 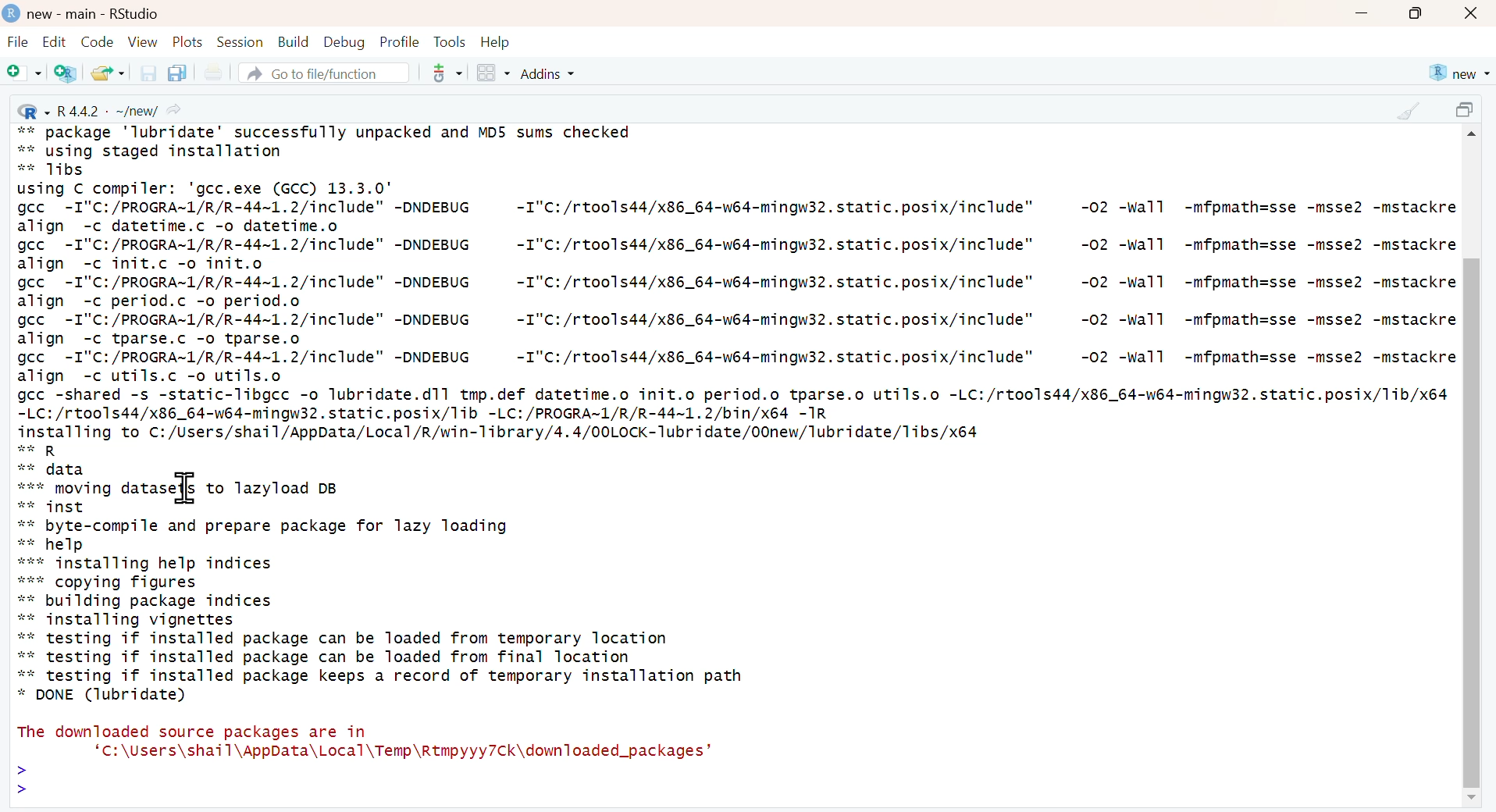 I want to click on ** package 'lubridate' successfully unpacked and MD5 sums checked, so click(x=326, y=130).